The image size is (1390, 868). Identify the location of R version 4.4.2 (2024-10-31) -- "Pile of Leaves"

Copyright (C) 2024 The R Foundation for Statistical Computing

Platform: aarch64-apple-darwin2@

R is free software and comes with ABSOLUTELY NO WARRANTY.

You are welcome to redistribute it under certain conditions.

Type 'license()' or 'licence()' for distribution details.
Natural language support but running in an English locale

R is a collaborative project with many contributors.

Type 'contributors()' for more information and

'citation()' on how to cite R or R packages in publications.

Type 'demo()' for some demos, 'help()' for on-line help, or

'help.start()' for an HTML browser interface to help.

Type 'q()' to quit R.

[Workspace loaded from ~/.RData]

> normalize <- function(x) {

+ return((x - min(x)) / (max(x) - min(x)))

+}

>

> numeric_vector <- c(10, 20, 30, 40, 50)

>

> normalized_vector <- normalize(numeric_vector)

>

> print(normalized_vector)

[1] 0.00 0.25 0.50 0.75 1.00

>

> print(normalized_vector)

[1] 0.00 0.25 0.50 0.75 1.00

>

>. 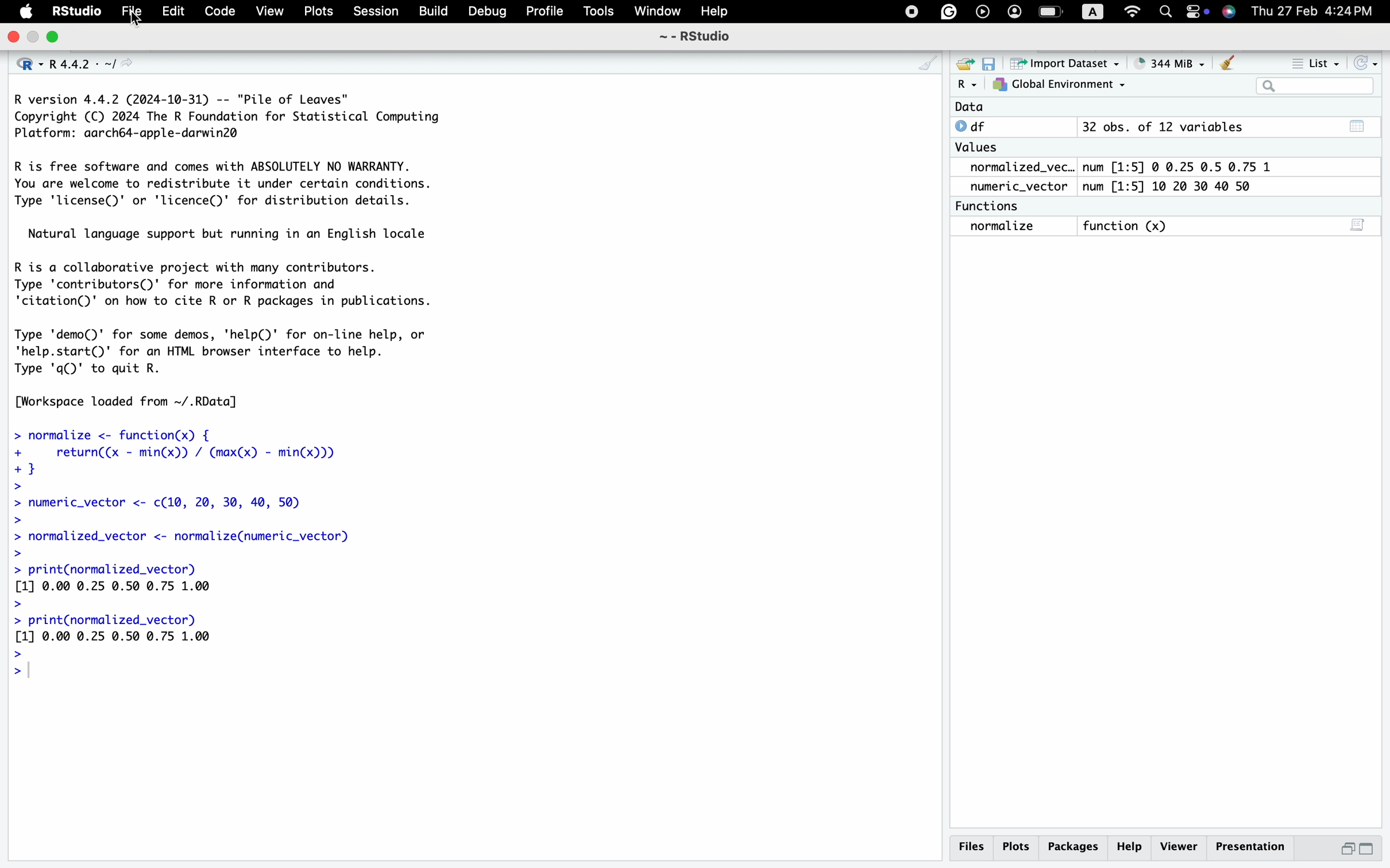
(229, 392).